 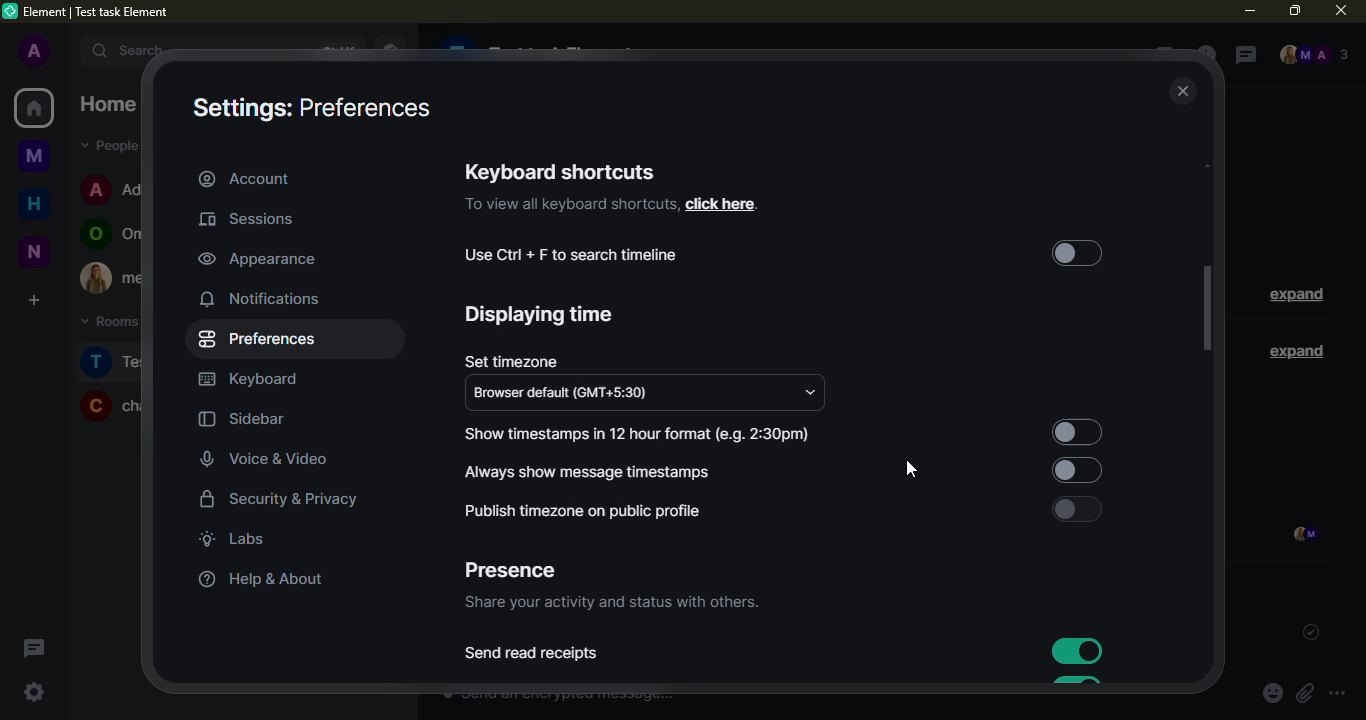 I want to click on settings: preferences, so click(x=309, y=110).